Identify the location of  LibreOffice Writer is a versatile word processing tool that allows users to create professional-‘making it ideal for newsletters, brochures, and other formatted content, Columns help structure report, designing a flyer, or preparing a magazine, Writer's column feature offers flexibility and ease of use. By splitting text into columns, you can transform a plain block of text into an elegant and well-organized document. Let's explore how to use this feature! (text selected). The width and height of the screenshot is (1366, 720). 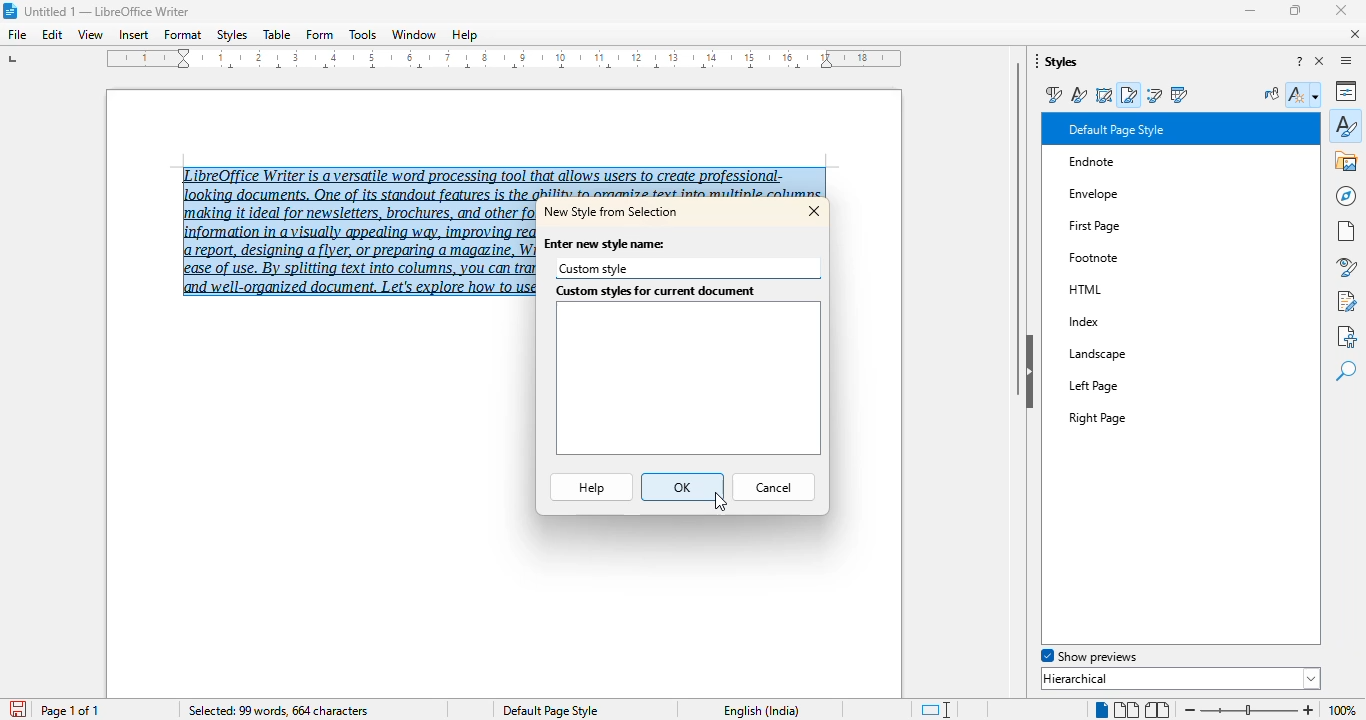
(352, 225).